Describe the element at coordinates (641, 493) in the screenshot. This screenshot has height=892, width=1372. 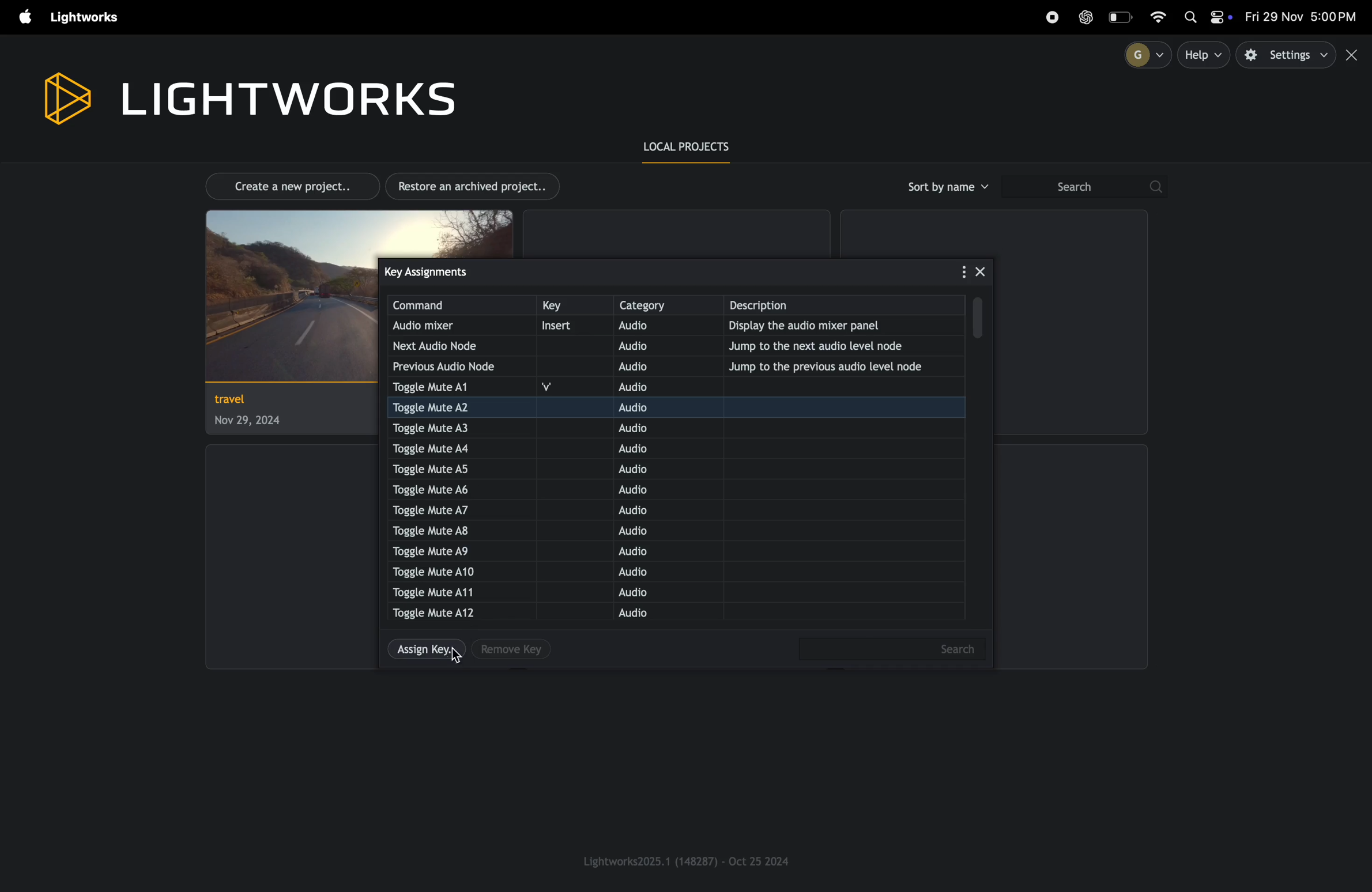
I see `audio` at that location.